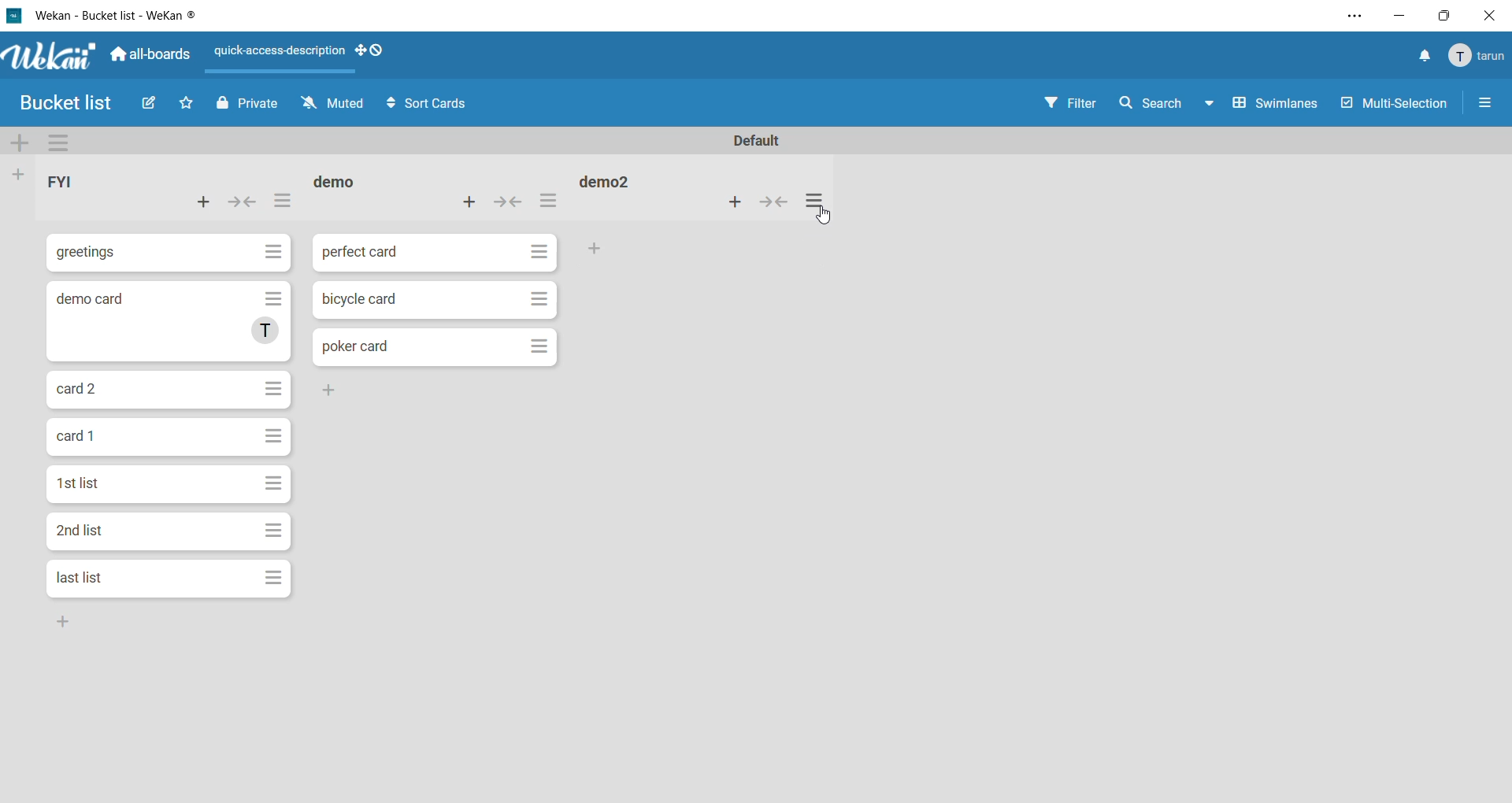 Image resolution: width=1512 pixels, height=803 pixels. What do you see at coordinates (733, 204) in the screenshot?
I see `add card` at bounding box center [733, 204].